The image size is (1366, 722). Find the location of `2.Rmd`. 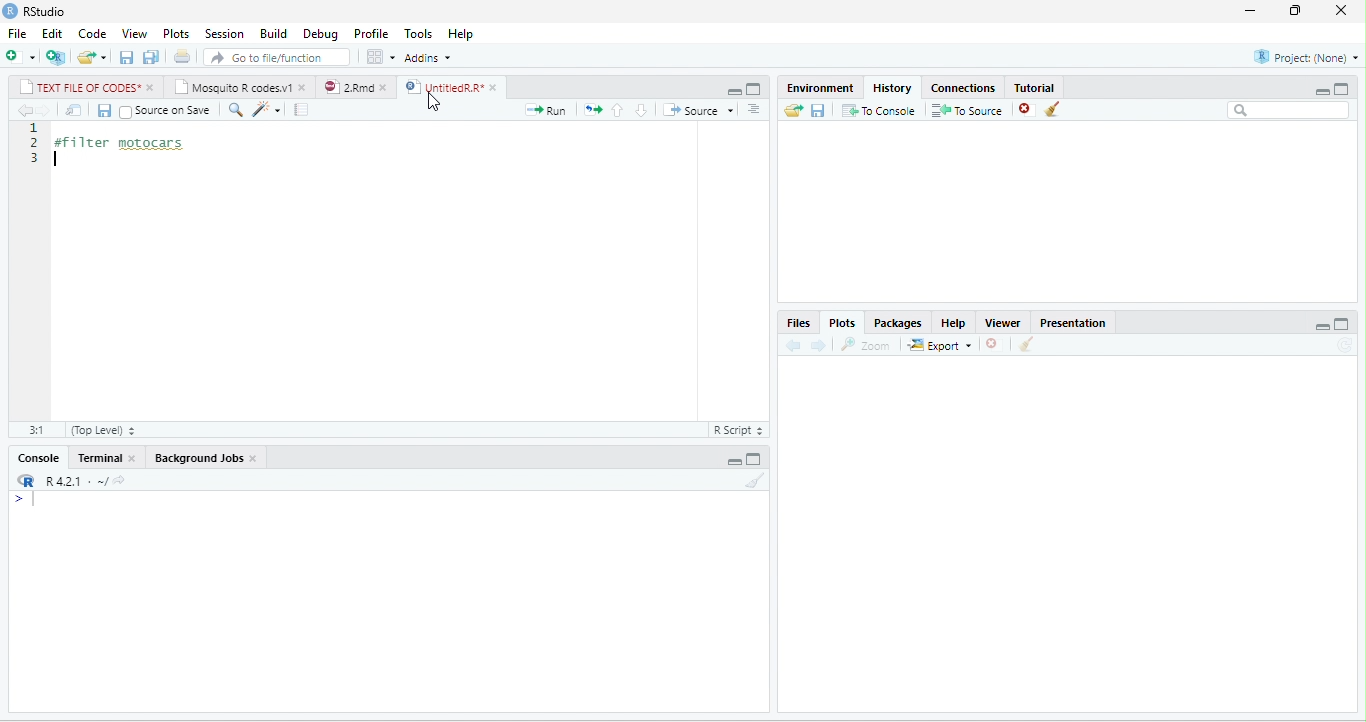

2.Rmd is located at coordinates (348, 87).